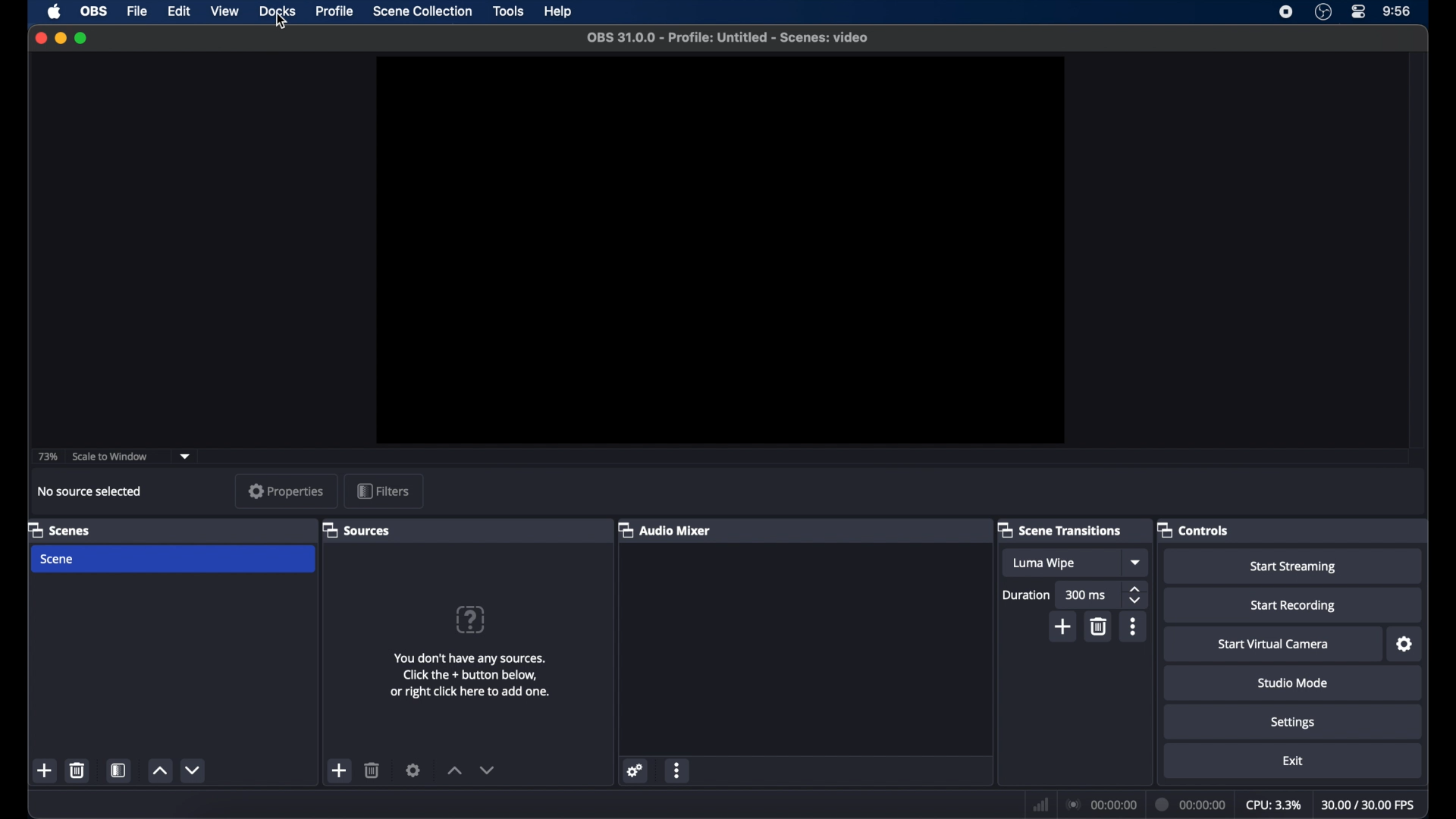  Describe the element at coordinates (281, 21) in the screenshot. I see `cursor` at that location.